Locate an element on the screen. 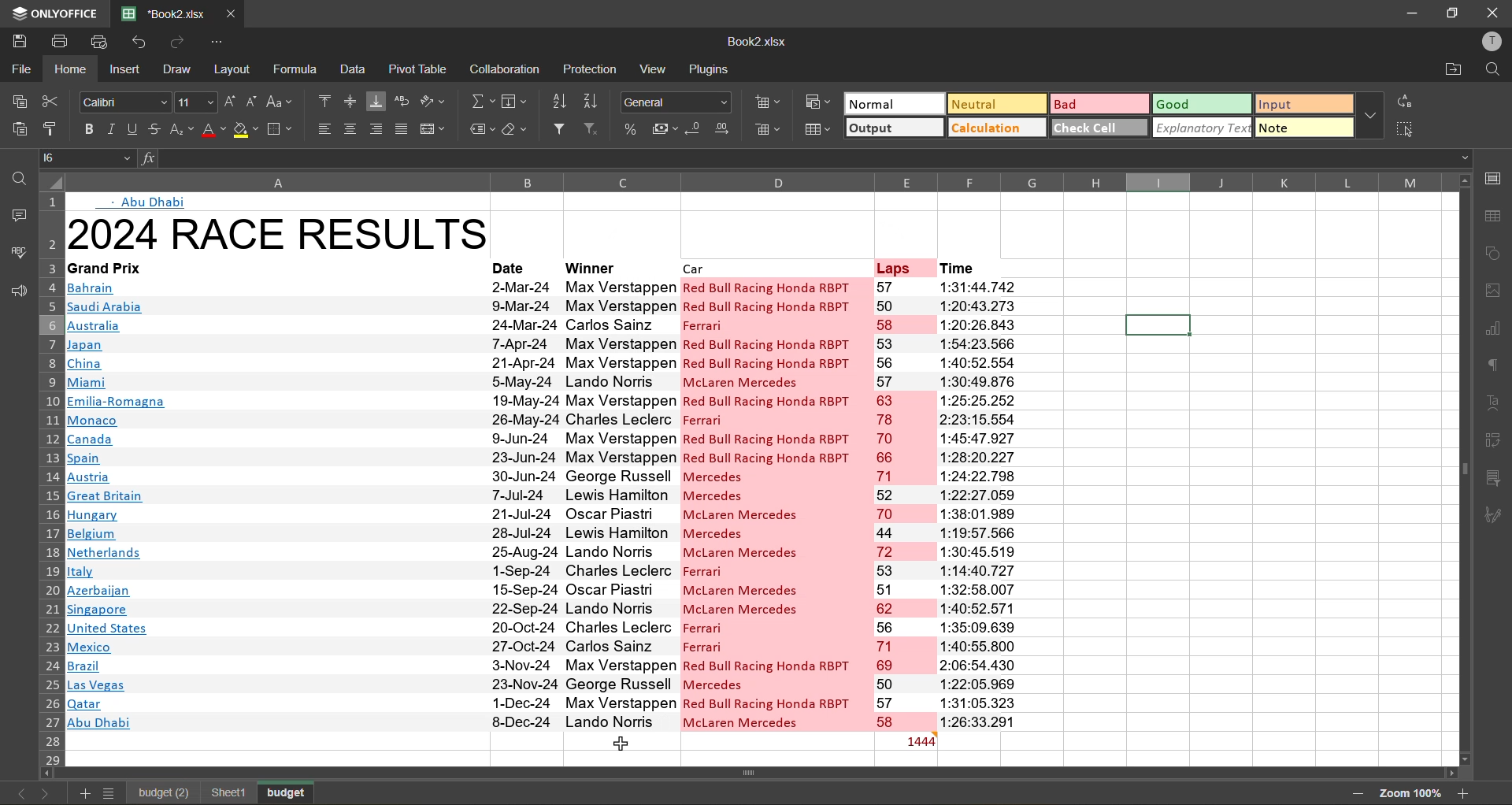 This screenshot has width=1512, height=805. paste is located at coordinates (17, 129).